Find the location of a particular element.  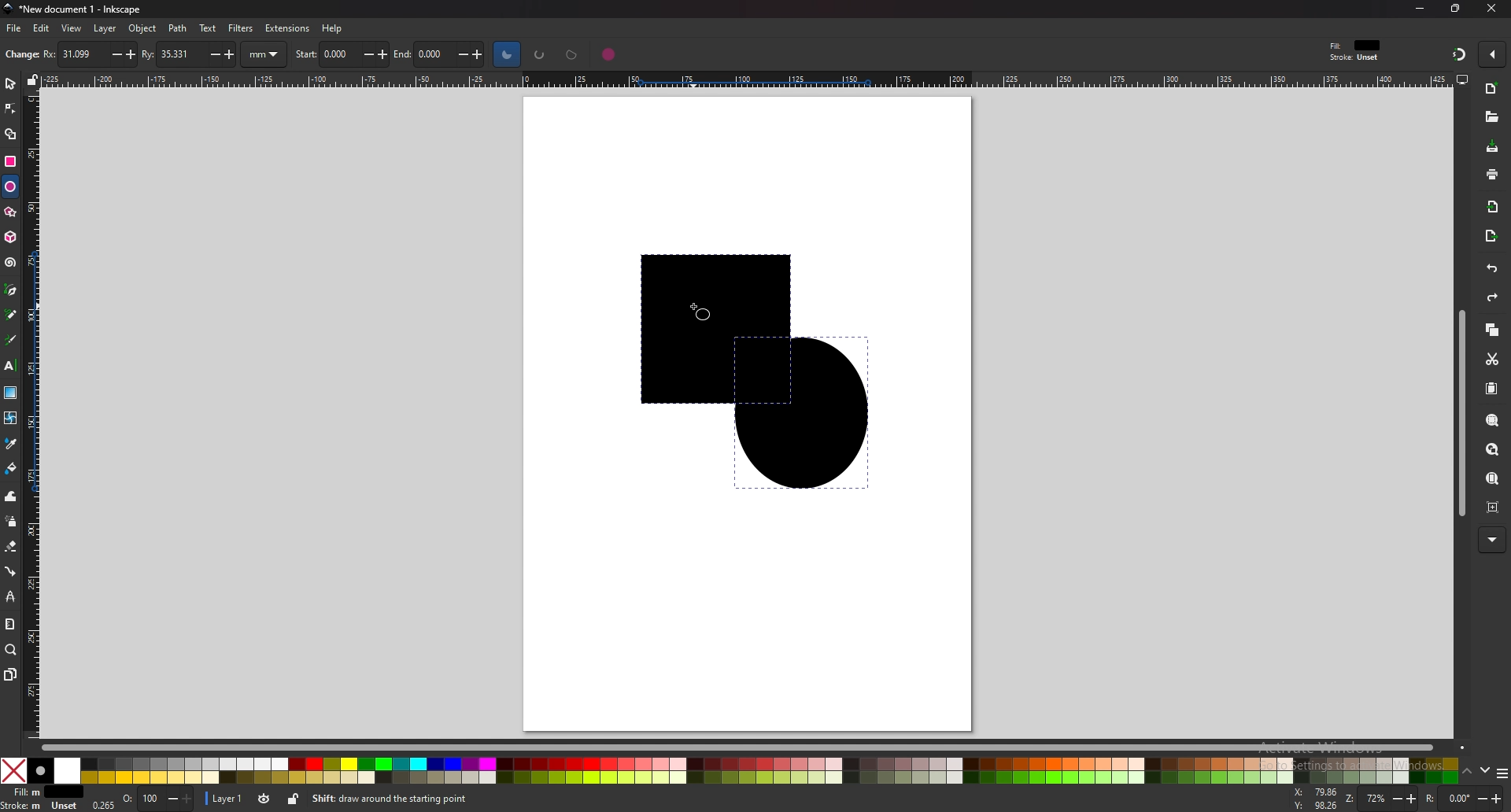

x and y coodinates is located at coordinates (1316, 797).